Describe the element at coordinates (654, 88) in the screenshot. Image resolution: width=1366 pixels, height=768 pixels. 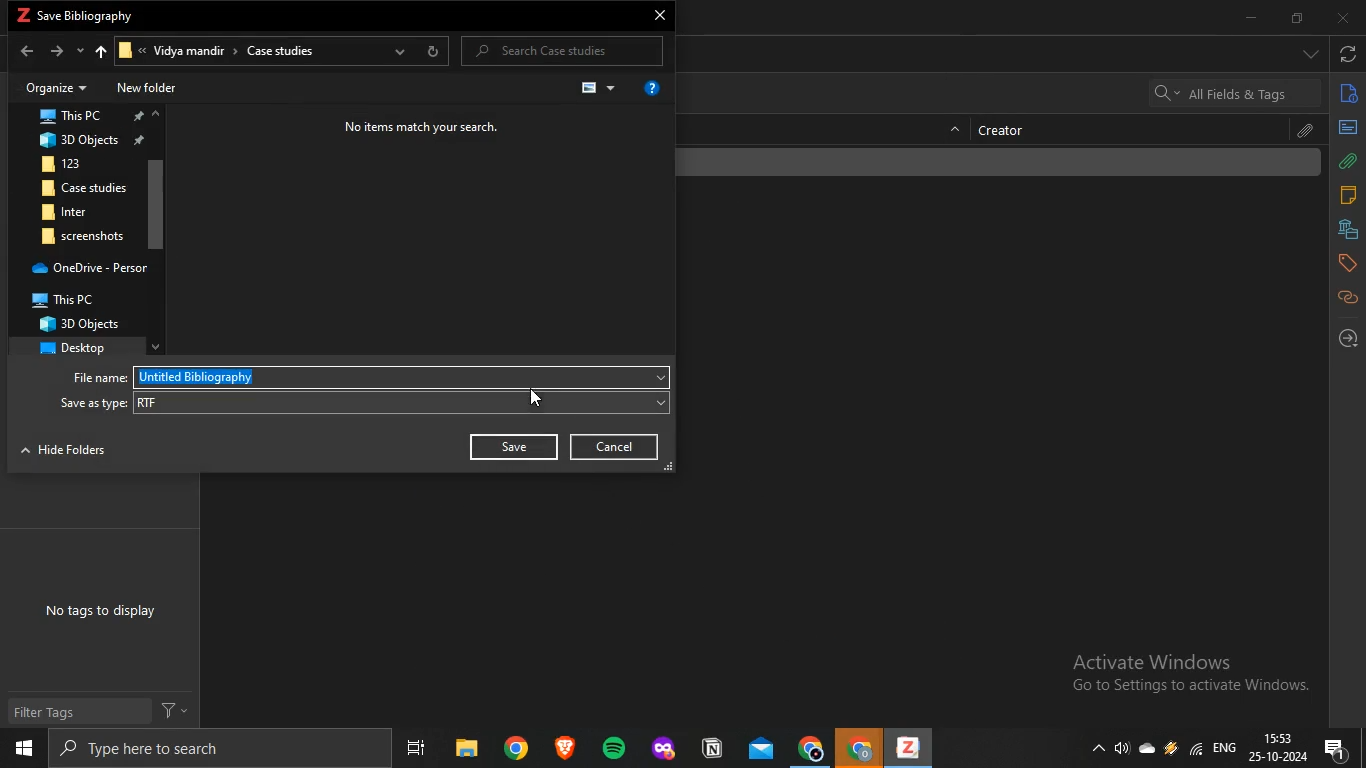
I see `get help` at that location.